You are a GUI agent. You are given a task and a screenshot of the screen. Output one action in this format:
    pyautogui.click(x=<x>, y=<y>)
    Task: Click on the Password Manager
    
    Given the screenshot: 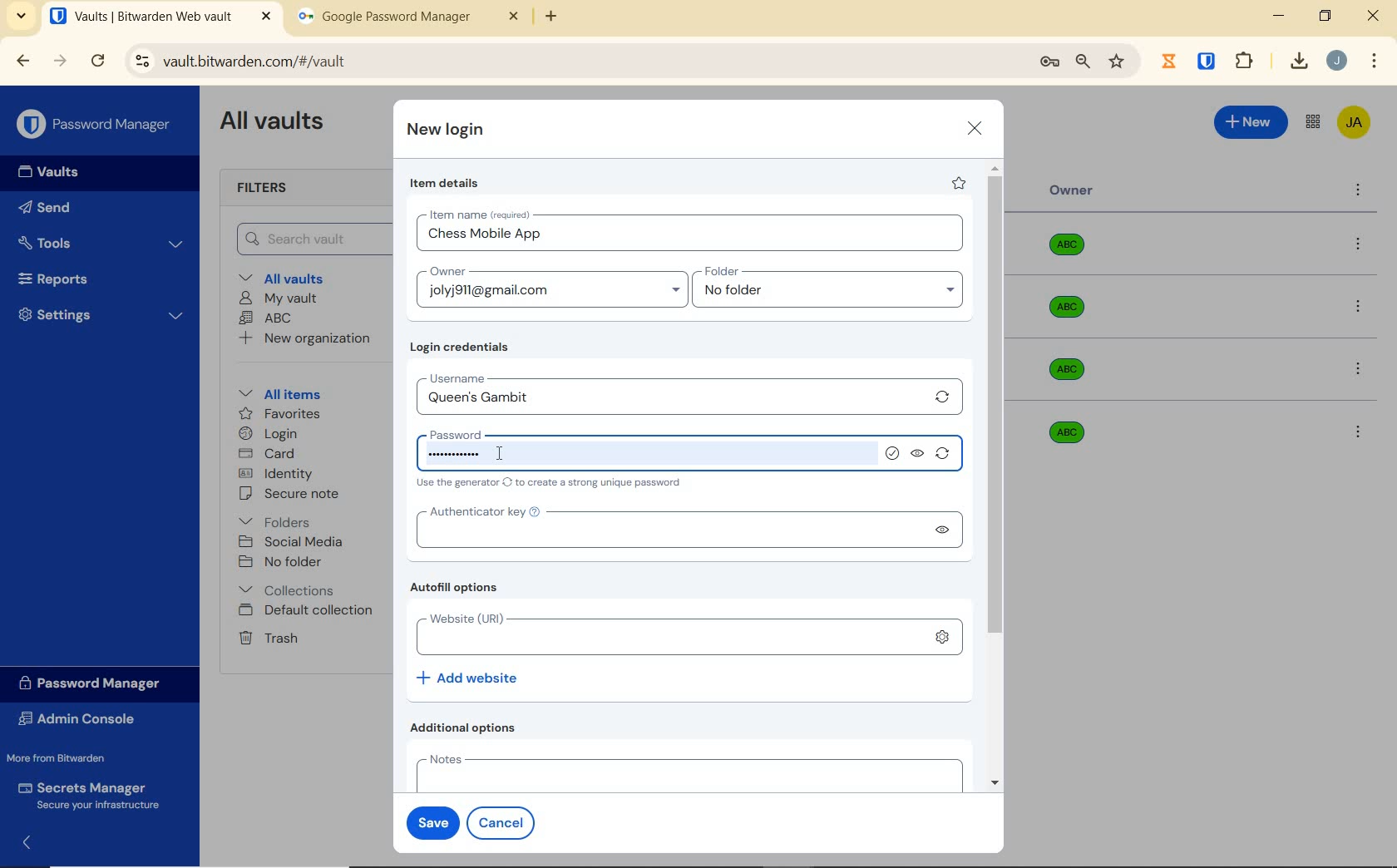 What is the action you would take?
    pyautogui.click(x=96, y=126)
    